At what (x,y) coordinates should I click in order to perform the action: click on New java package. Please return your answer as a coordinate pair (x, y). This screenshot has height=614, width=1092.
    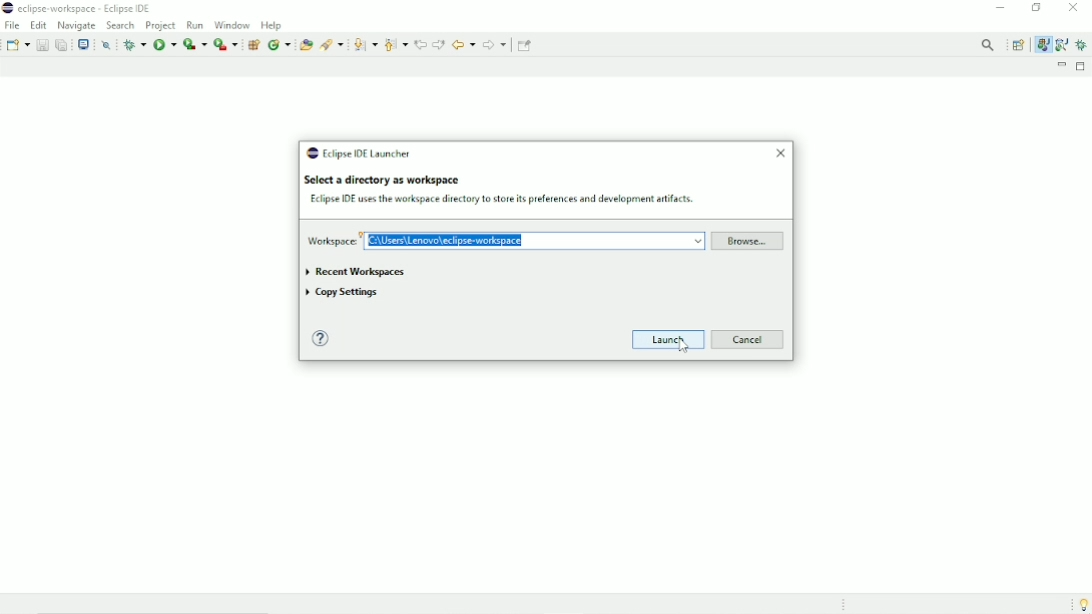
    Looking at the image, I should click on (255, 44).